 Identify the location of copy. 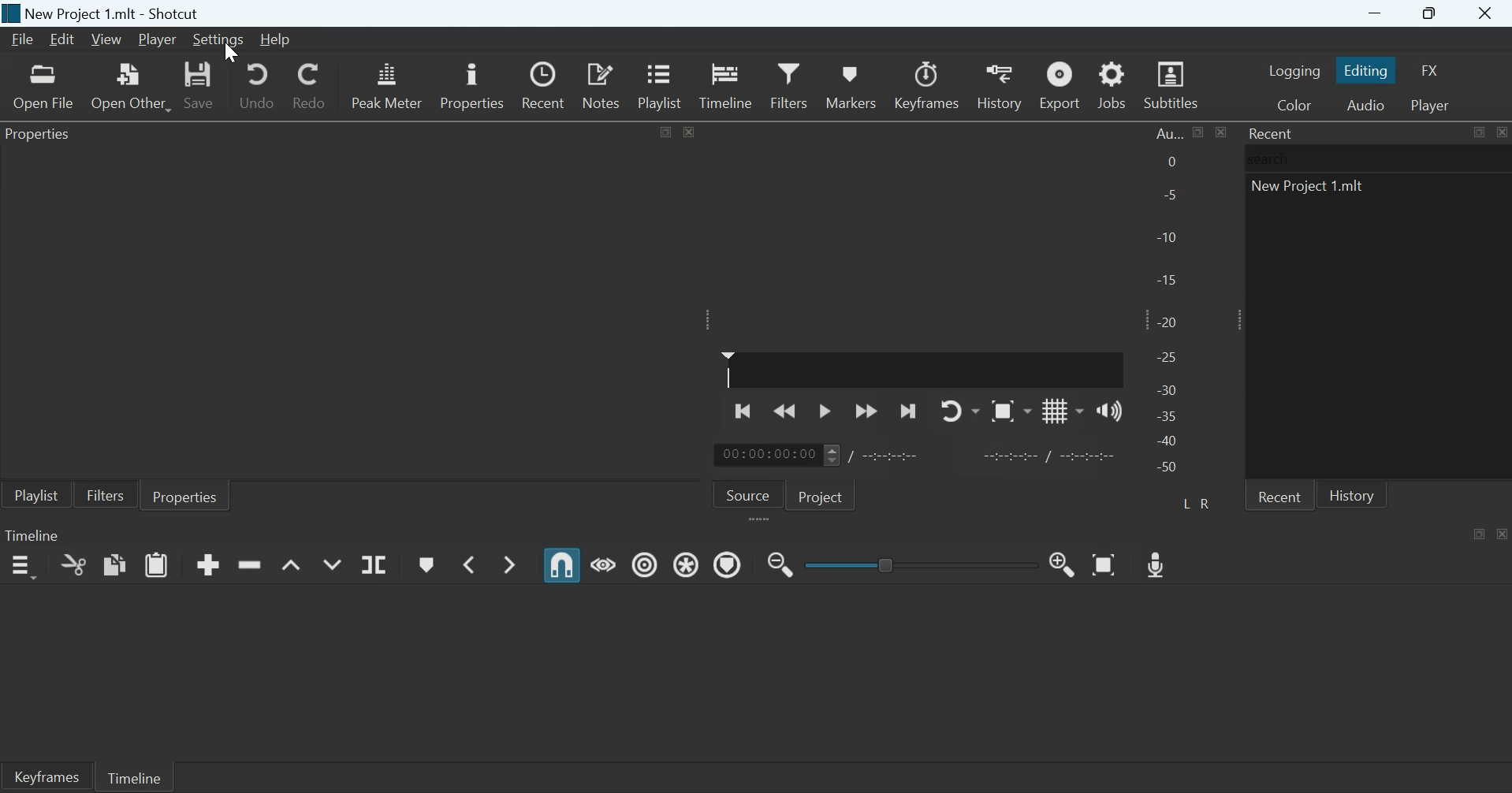
(115, 564).